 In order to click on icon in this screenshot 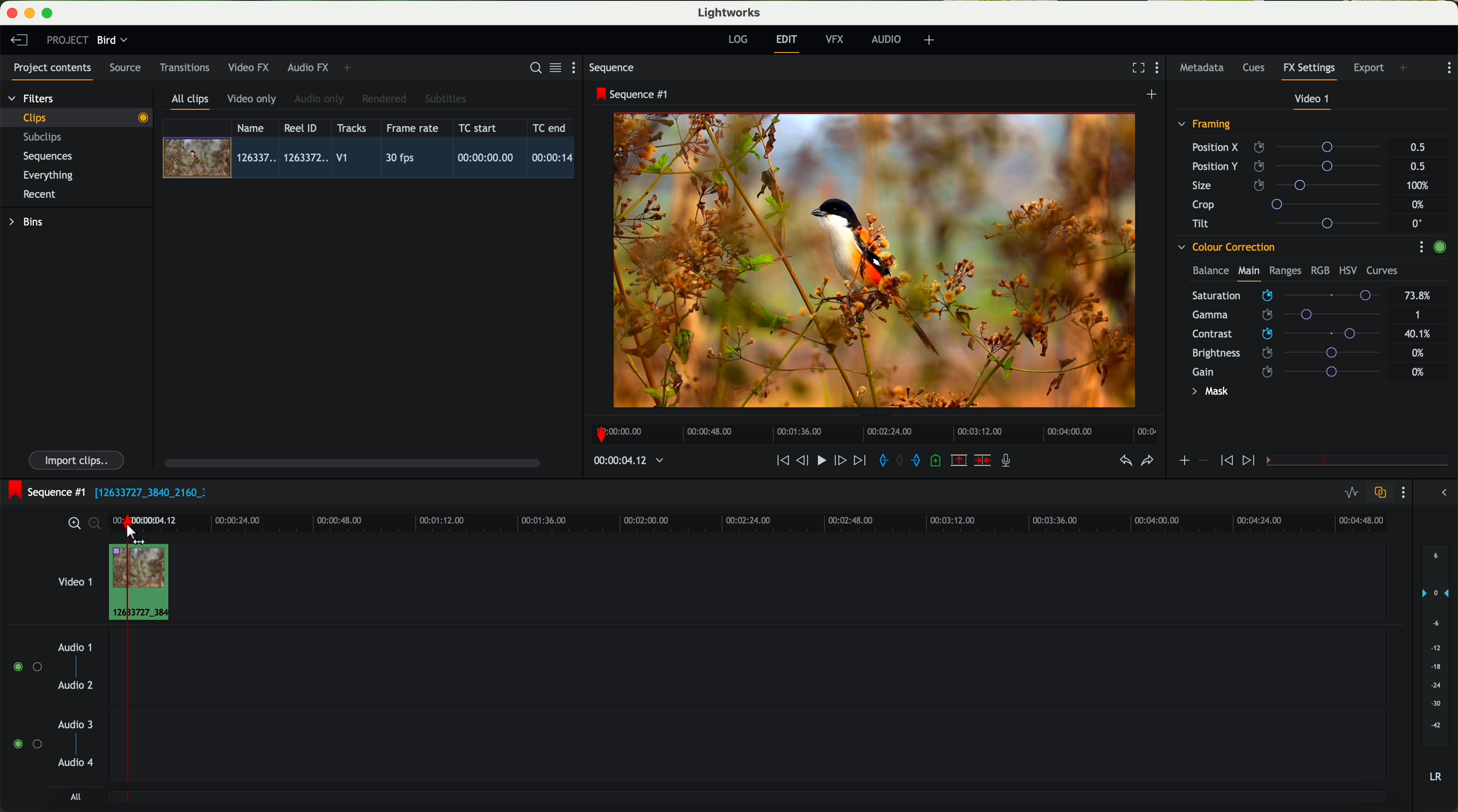, I will do `click(1250, 461)`.